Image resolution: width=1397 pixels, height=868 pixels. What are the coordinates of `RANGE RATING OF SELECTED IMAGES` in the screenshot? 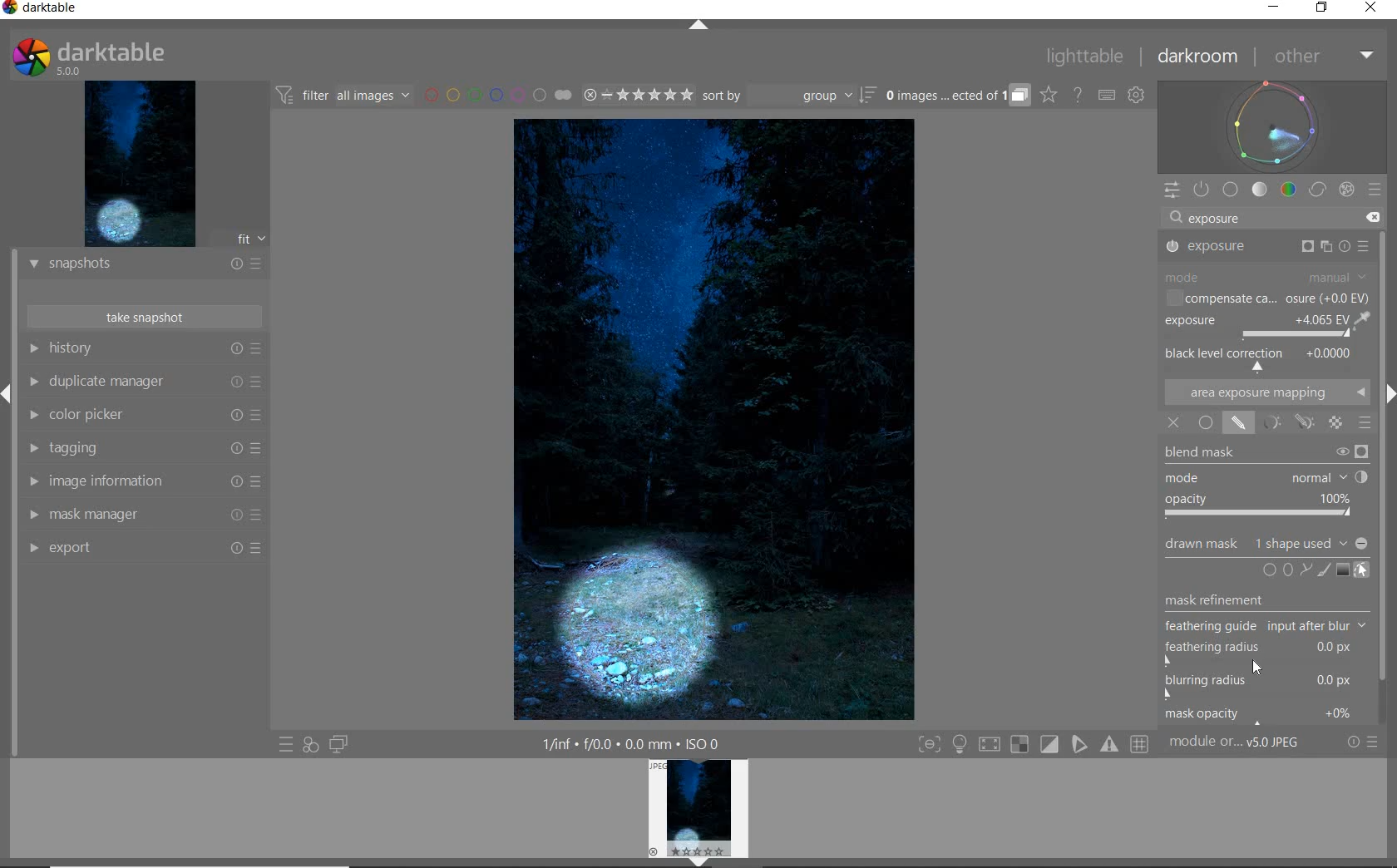 It's located at (638, 95).